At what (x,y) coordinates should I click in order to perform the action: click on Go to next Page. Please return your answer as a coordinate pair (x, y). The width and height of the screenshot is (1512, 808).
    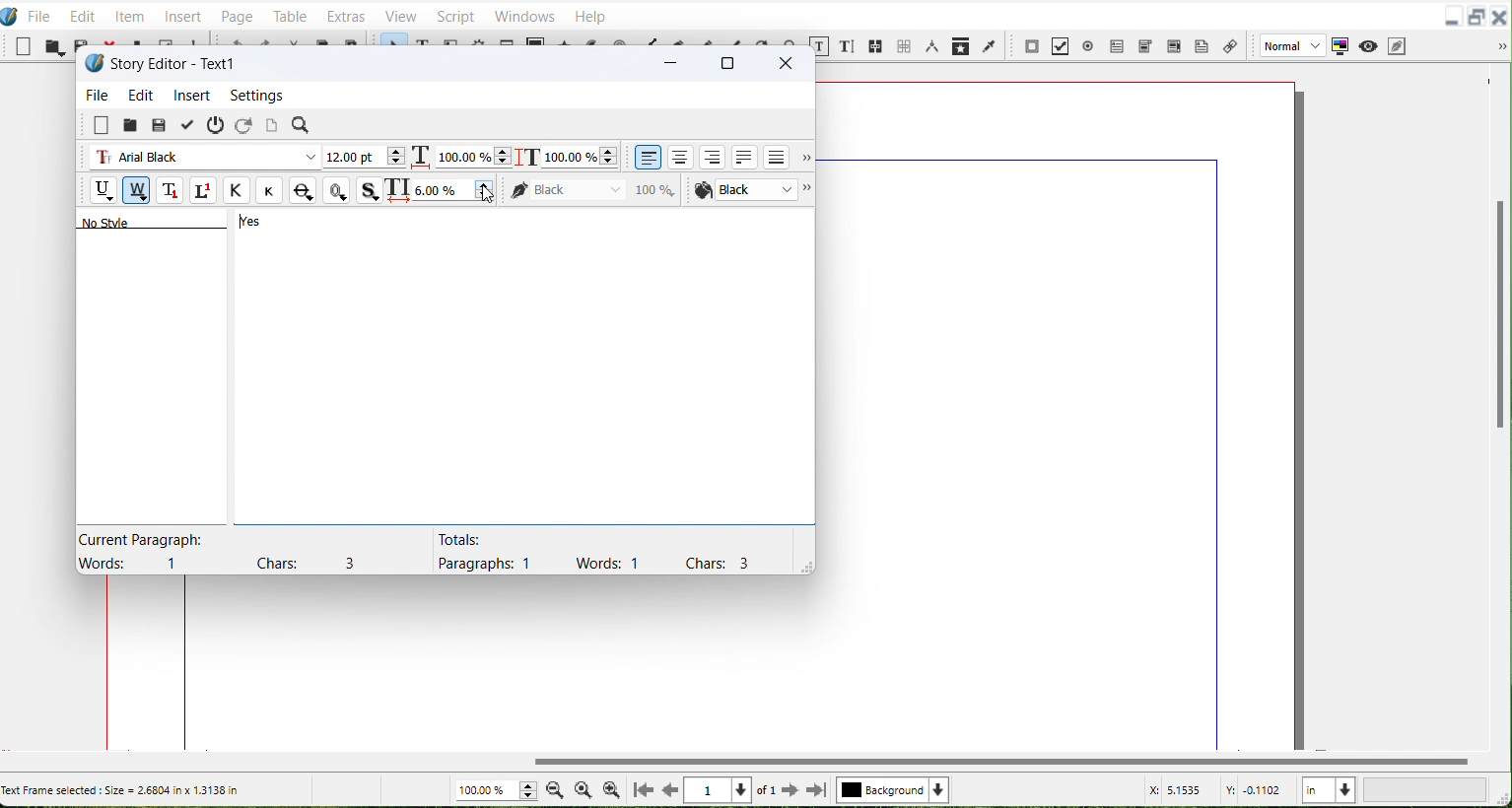
    Looking at the image, I should click on (790, 791).